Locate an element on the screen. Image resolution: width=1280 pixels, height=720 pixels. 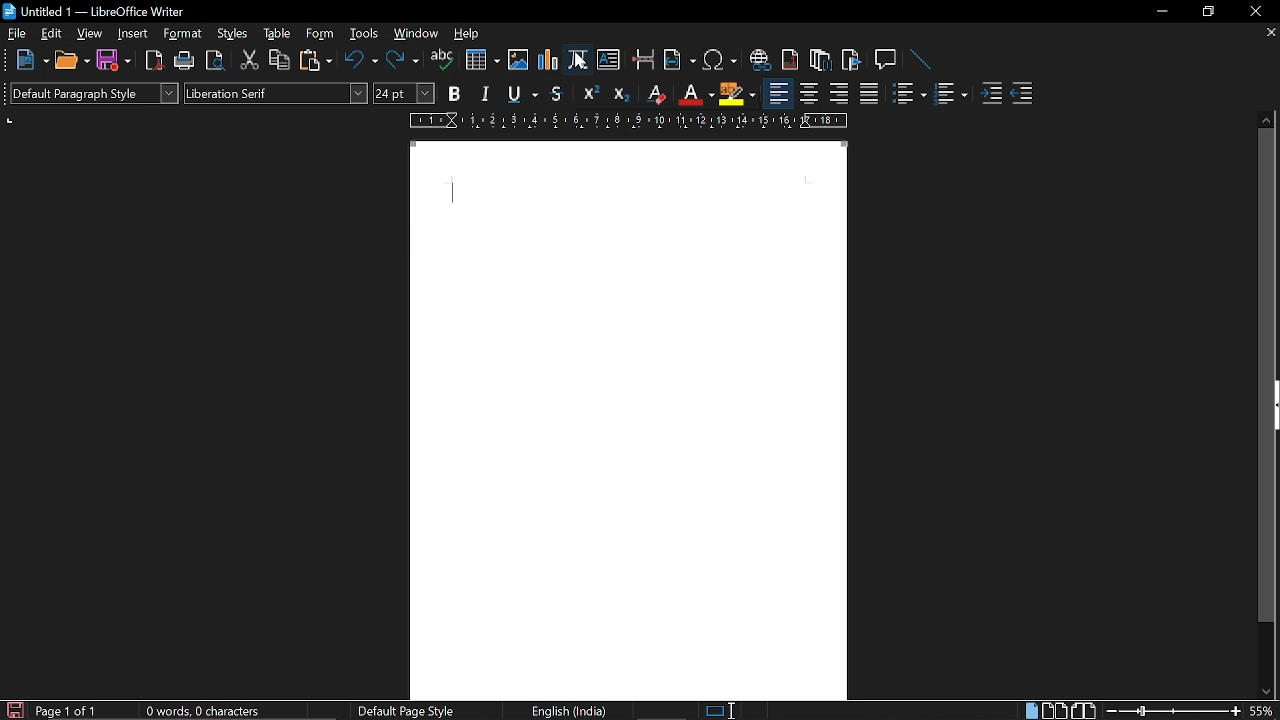
window is located at coordinates (416, 35).